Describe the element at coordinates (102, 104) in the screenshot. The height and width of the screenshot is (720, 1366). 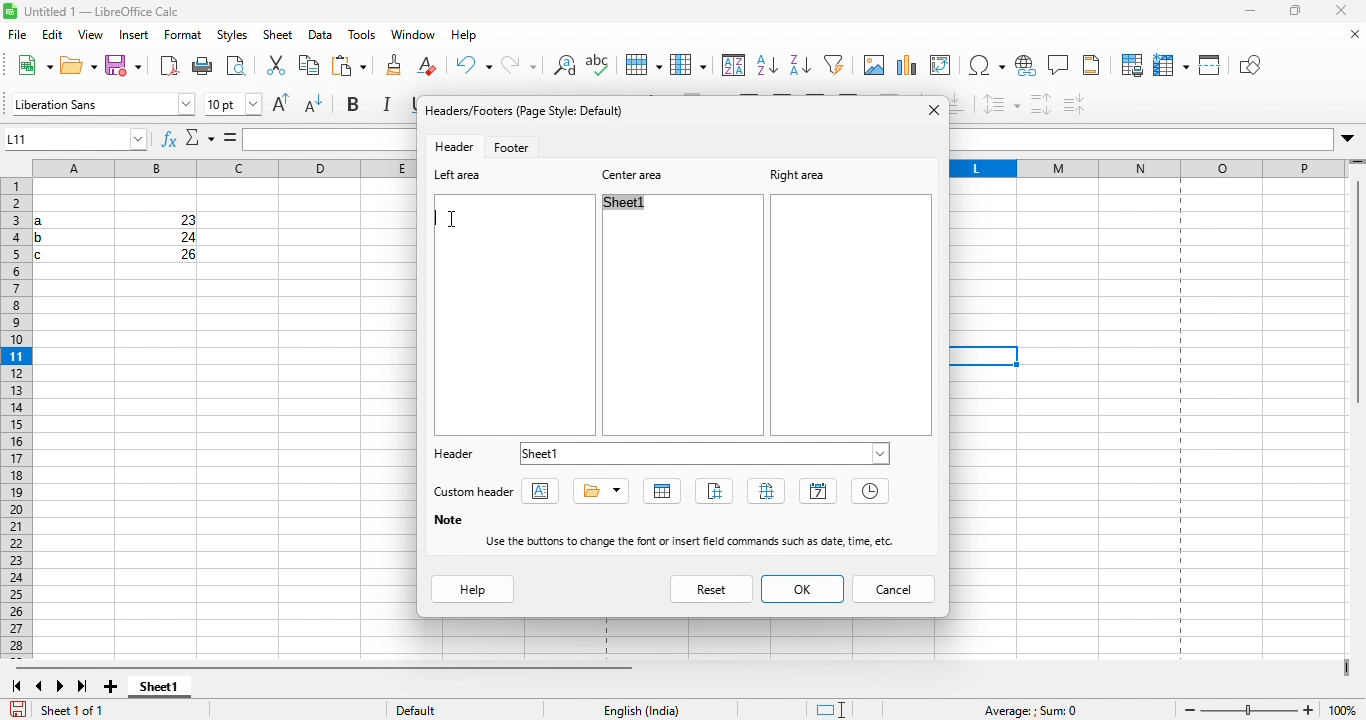
I see `font name` at that location.